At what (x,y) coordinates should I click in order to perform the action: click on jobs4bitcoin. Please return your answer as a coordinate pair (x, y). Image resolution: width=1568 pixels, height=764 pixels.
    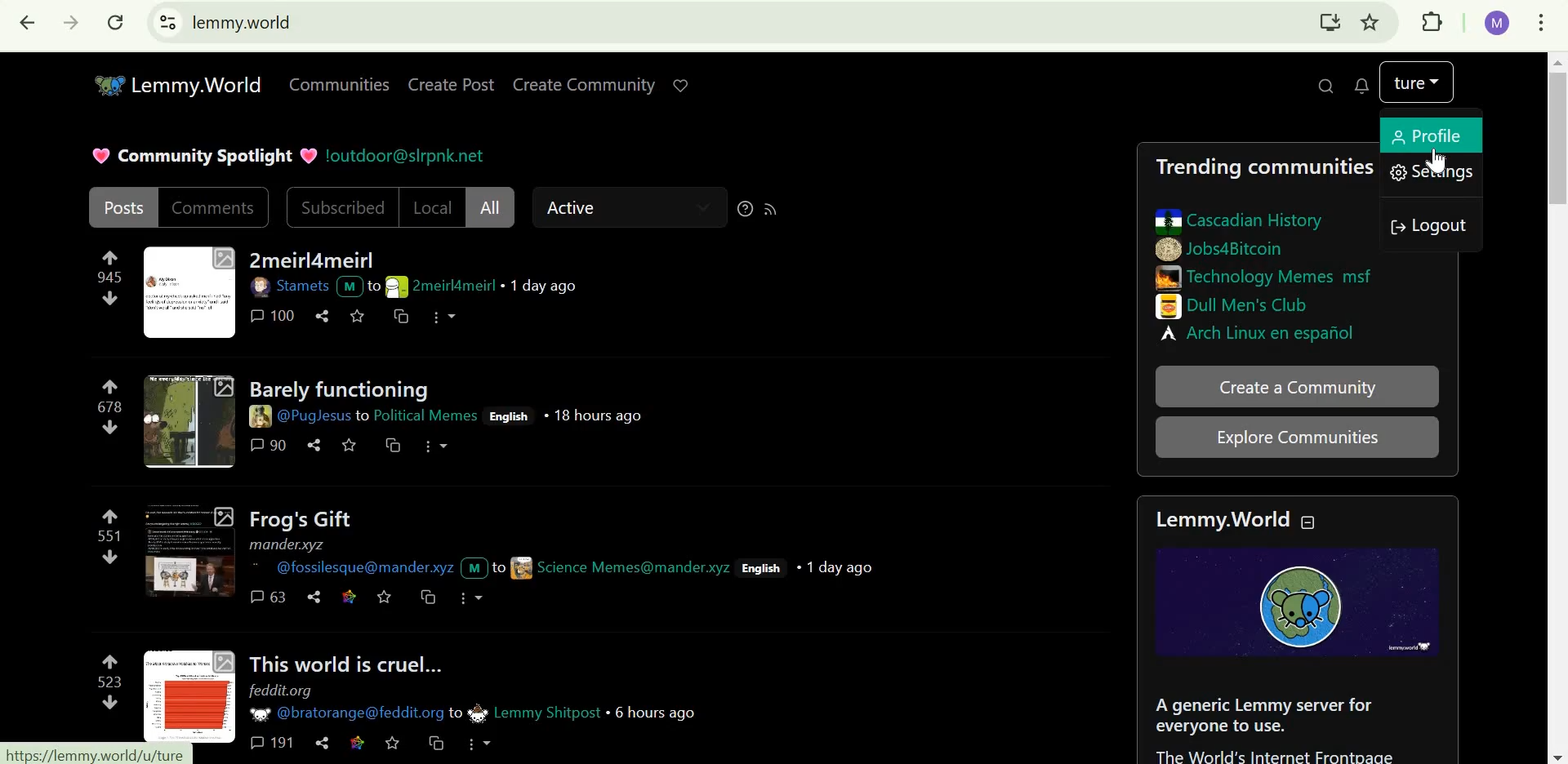
    Looking at the image, I should click on (1221, 249).